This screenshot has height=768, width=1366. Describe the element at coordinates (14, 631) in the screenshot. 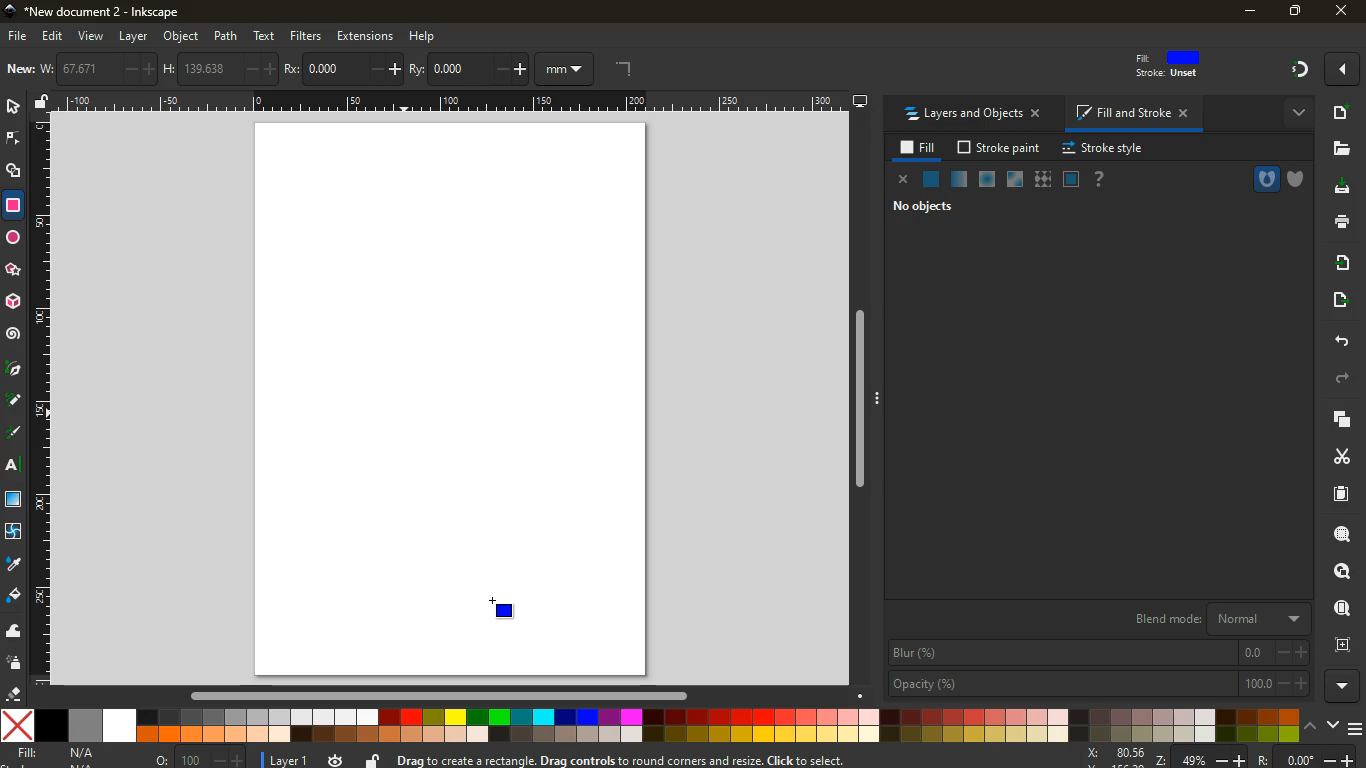

I see `wave` at that location.